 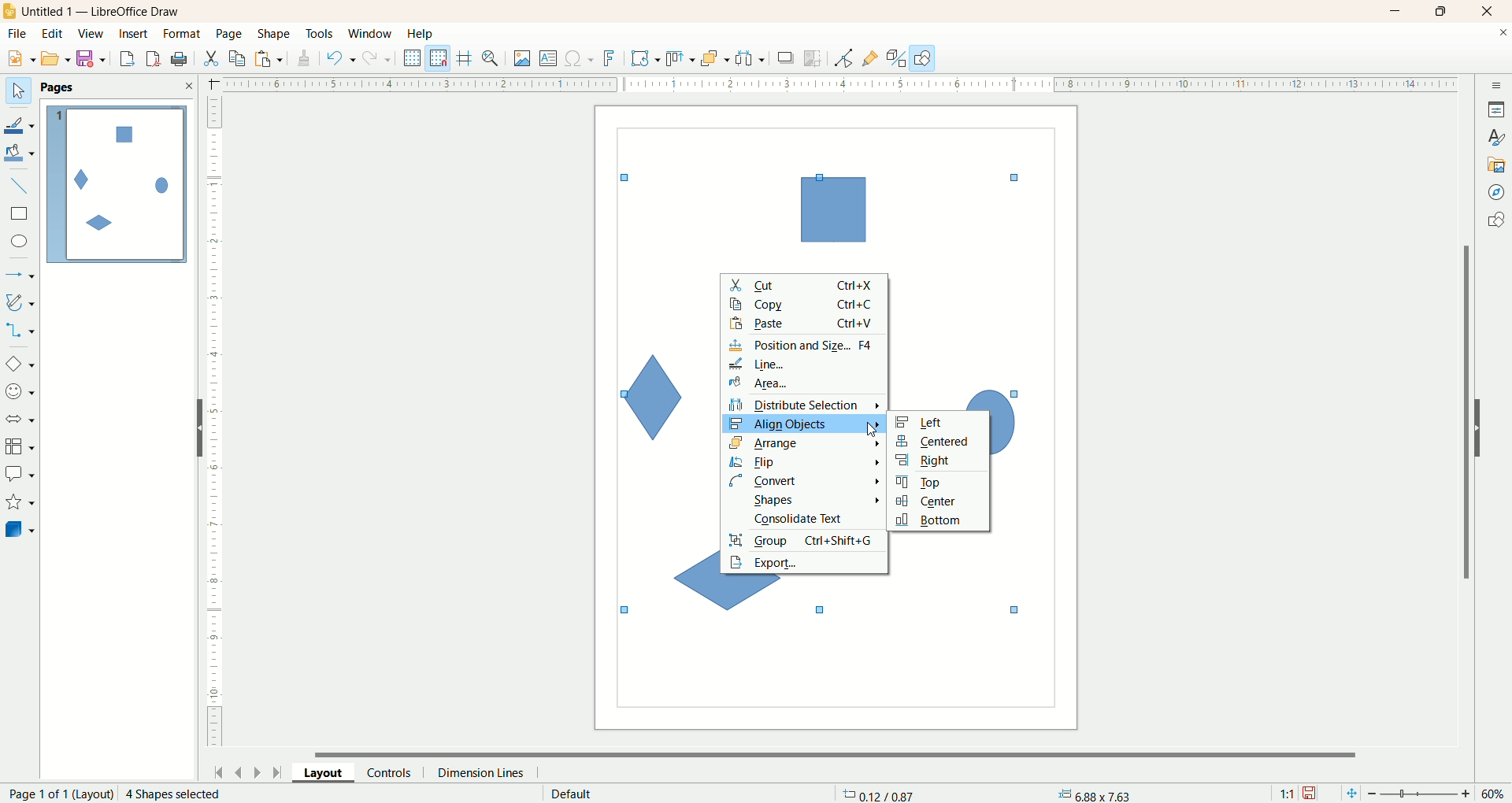 What do you see at coordinates (1497, 193) in the screenshot?
I see `navigator` at bounding box center [1497, 193].